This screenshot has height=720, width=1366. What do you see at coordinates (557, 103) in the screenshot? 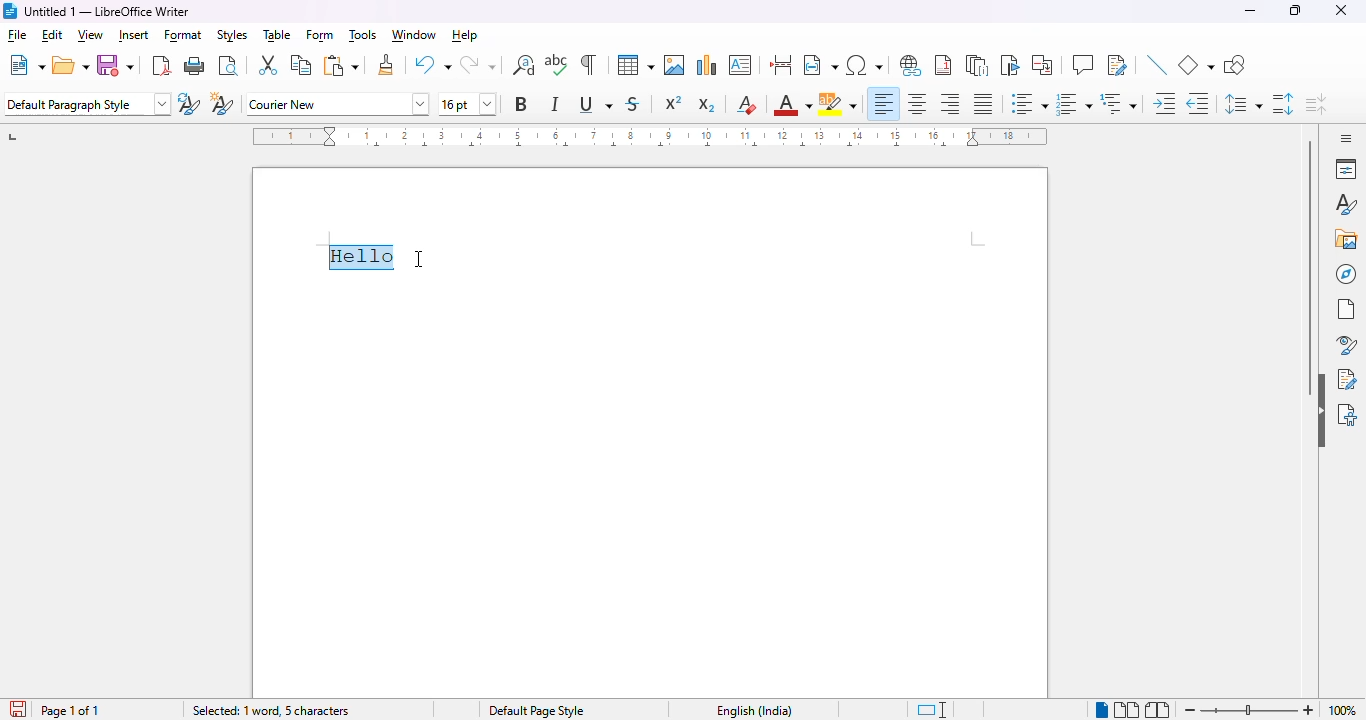
I see `italic` at bounding box center [557, 103].